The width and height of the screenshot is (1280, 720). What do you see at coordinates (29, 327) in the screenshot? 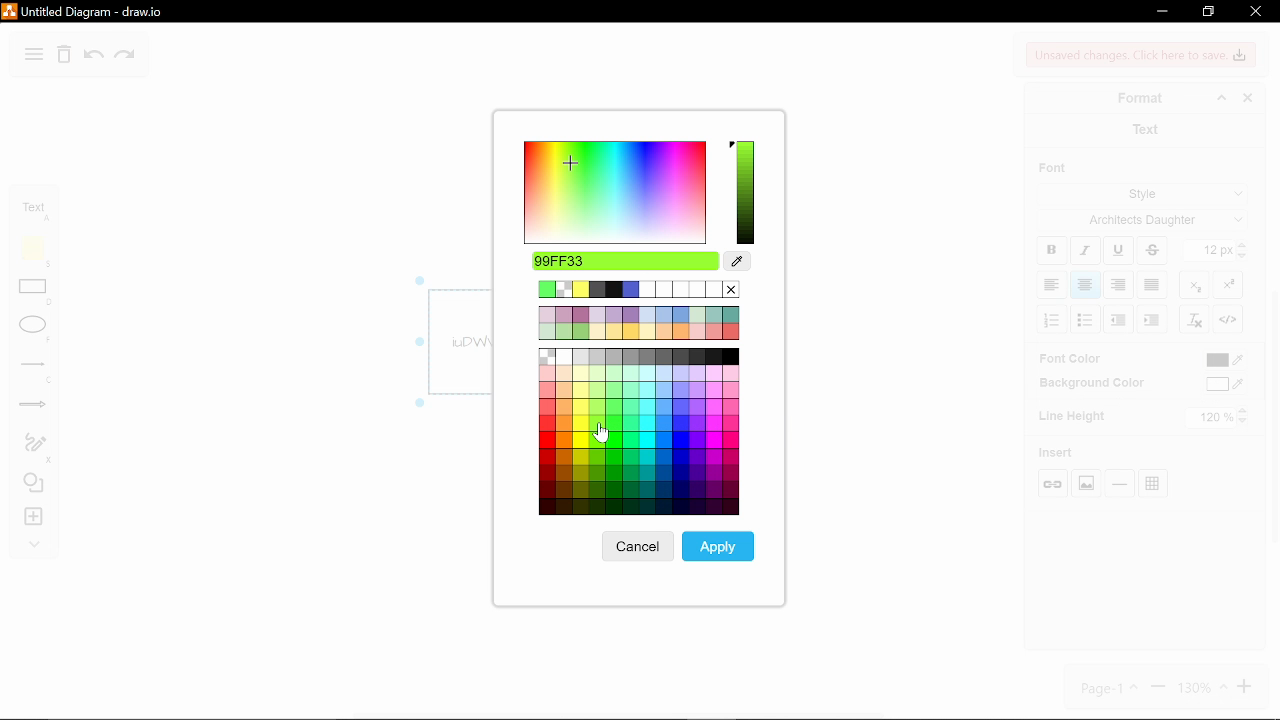
I see `ellipse` at bounding box center [29, 327].